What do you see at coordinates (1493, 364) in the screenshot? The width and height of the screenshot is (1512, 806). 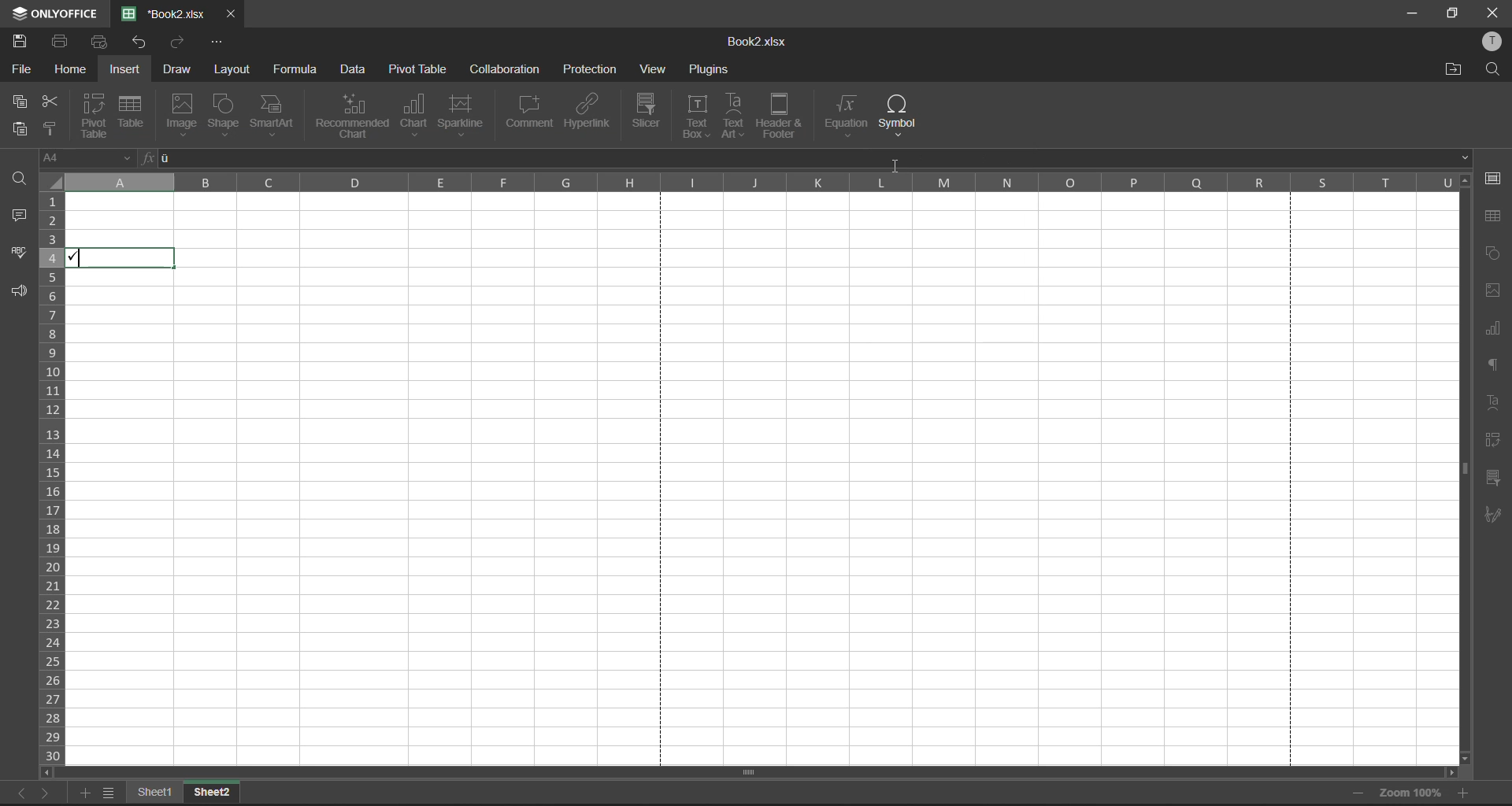 I see `paragraph` at bounding box center [1493, 364].